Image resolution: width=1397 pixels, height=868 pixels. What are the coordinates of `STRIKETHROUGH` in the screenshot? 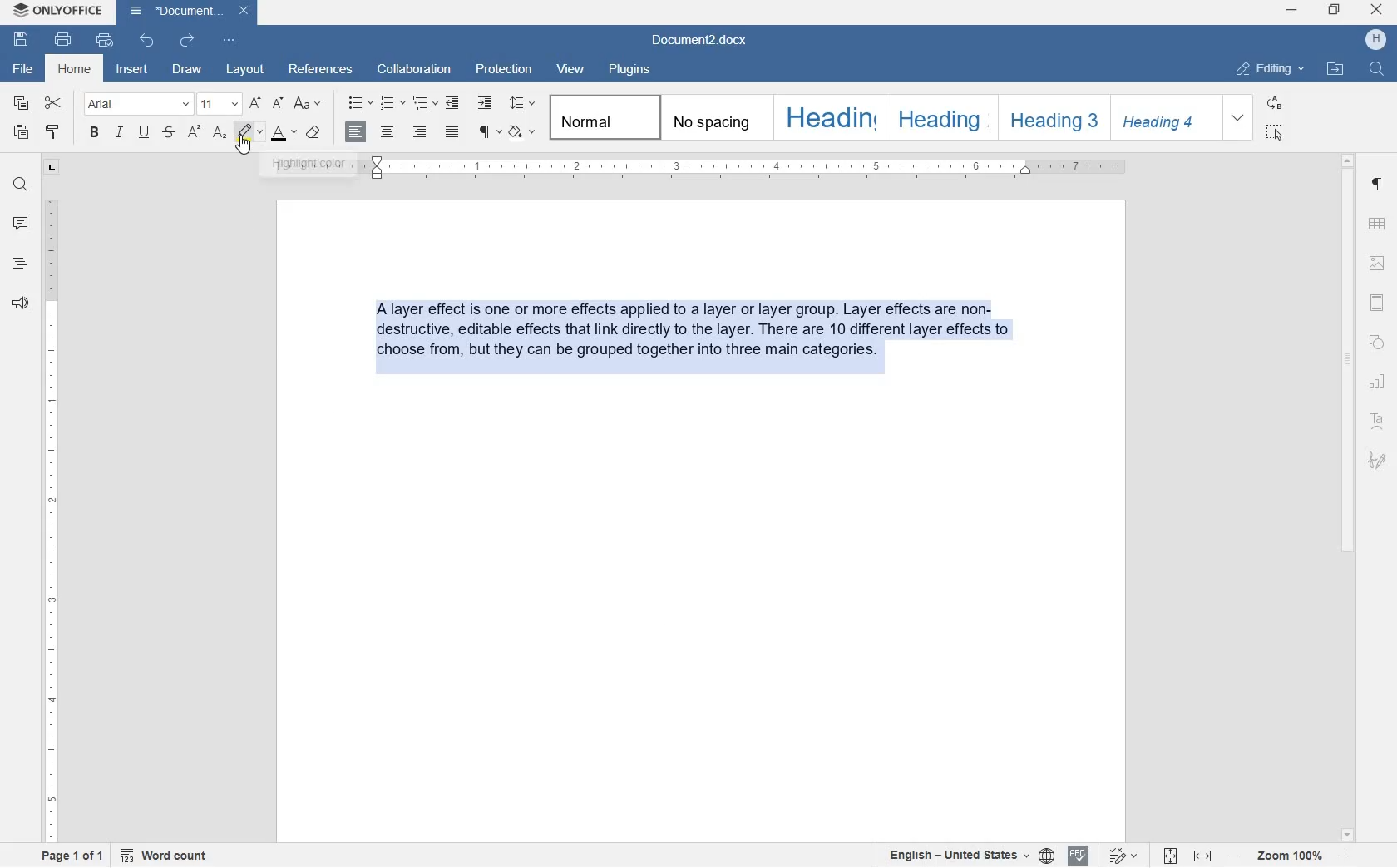 It's located at (167, 133).